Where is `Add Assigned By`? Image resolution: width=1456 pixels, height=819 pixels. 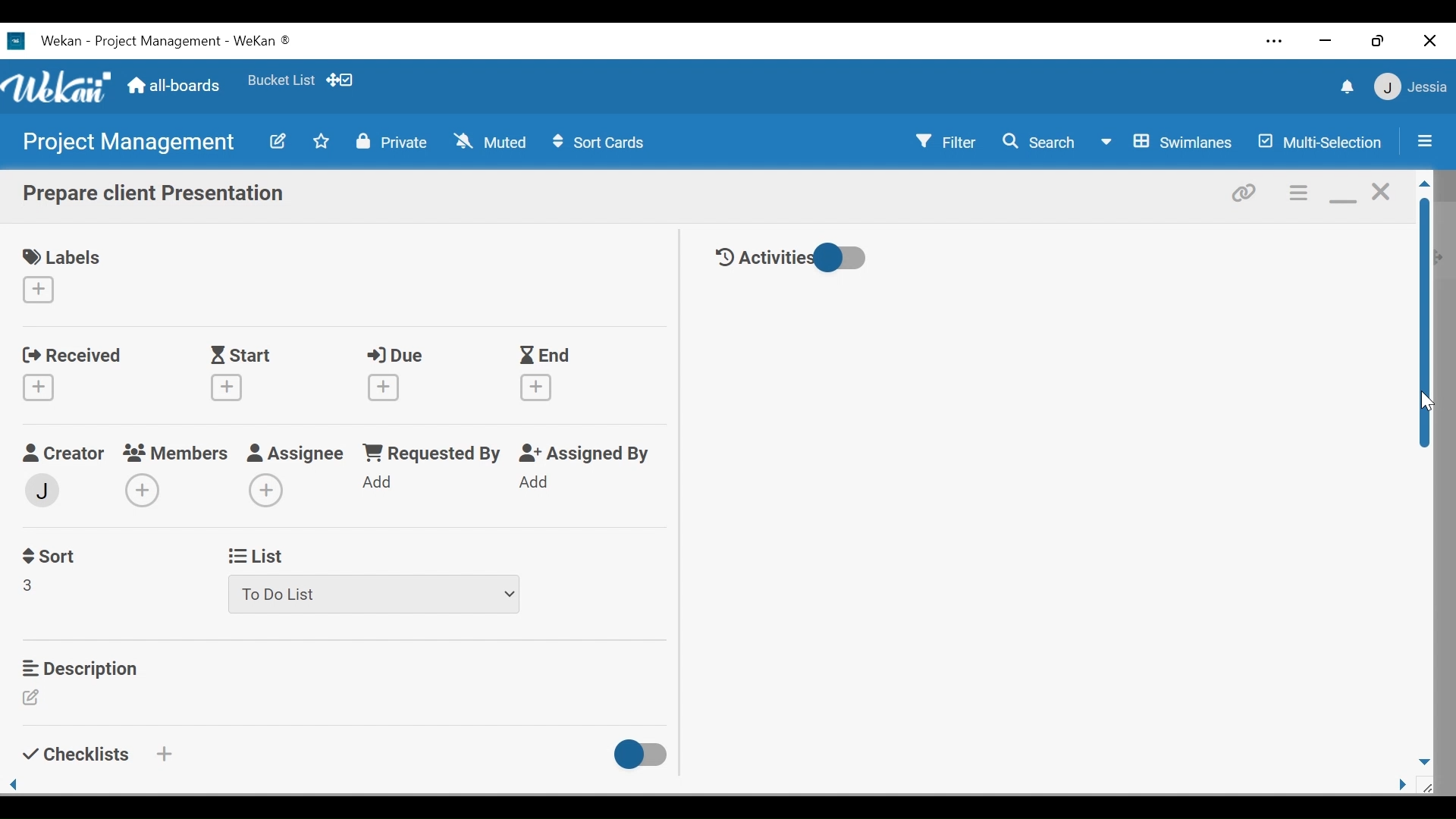
Add Assigned By is located at coordinates (535, 482).